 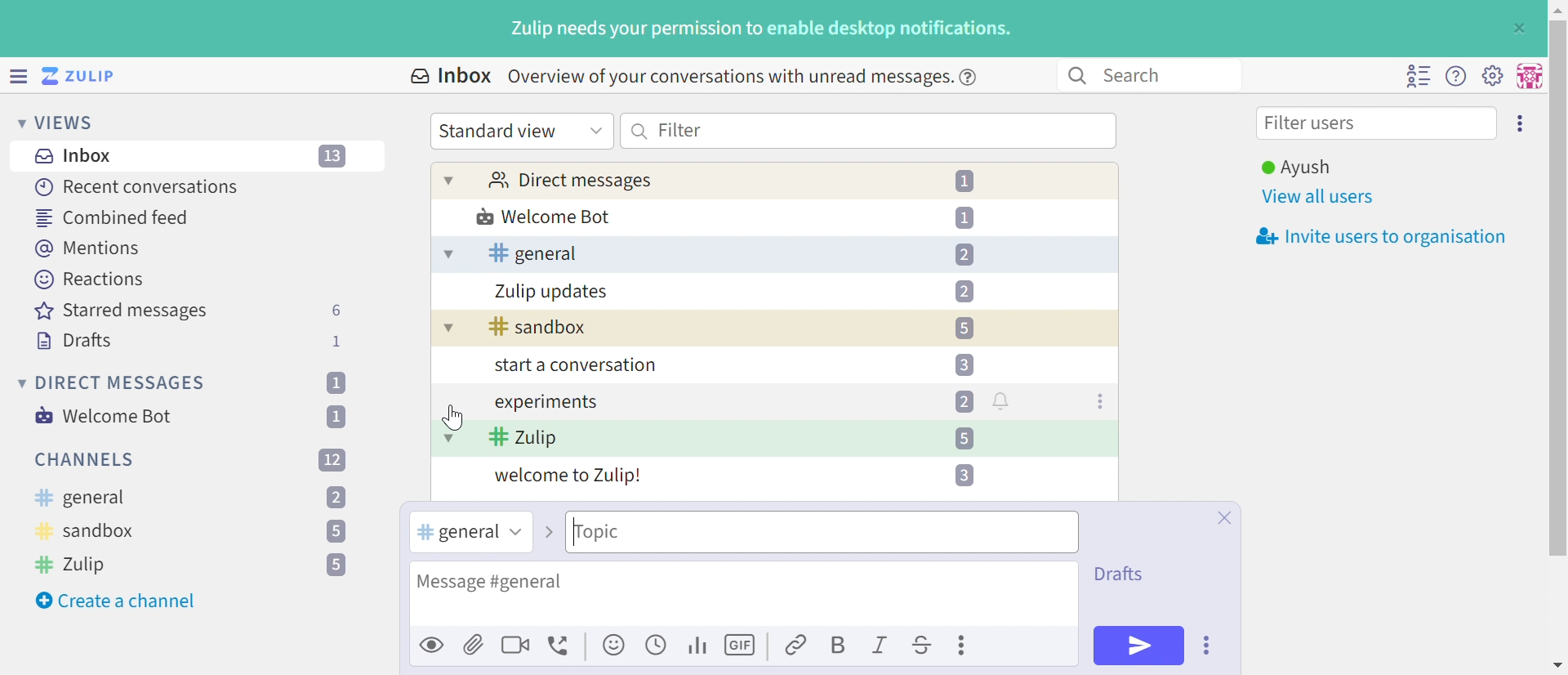 I want to click on 1, so click(x=968, y=181).